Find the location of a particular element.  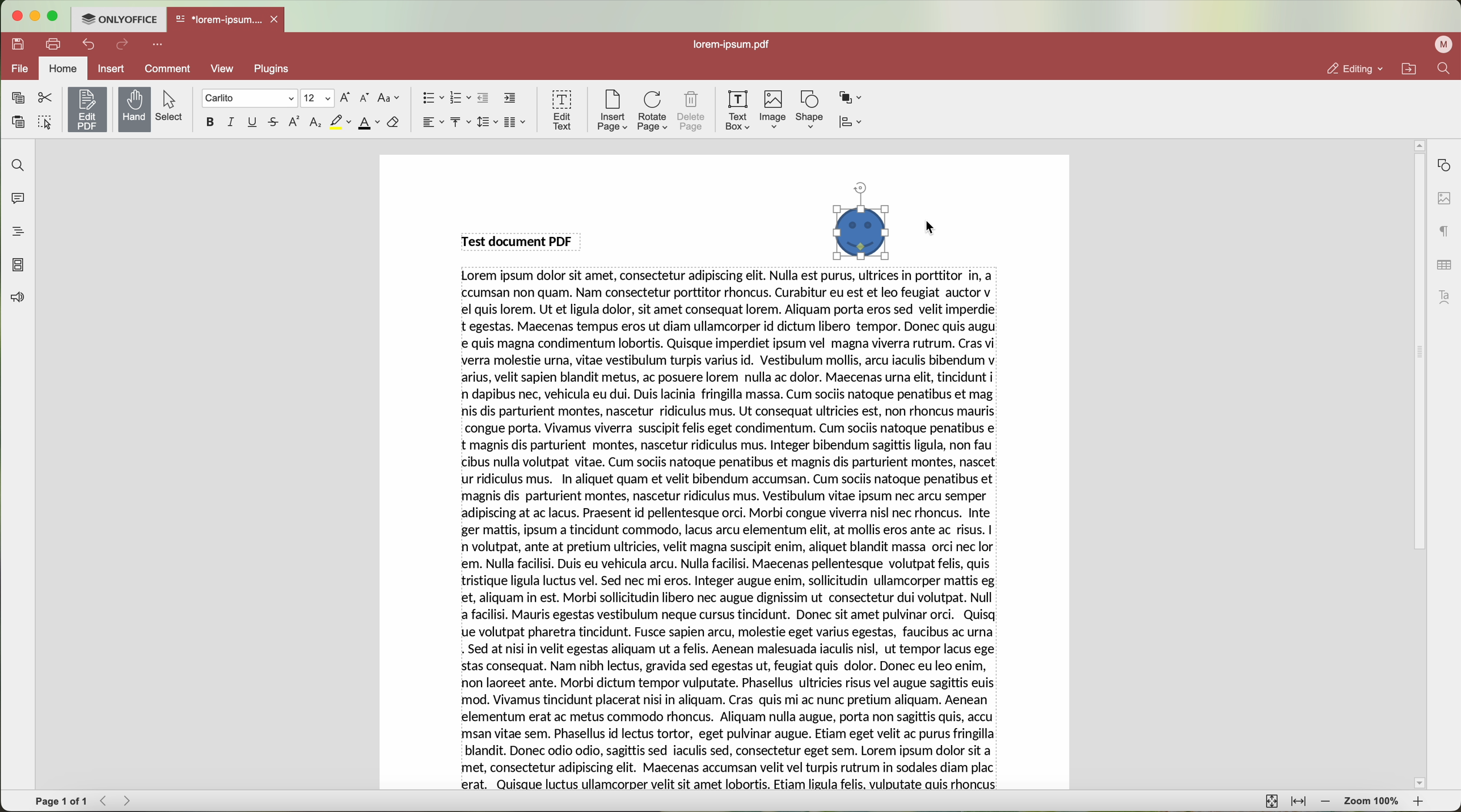

bullets is located at coordinates (432, 99).